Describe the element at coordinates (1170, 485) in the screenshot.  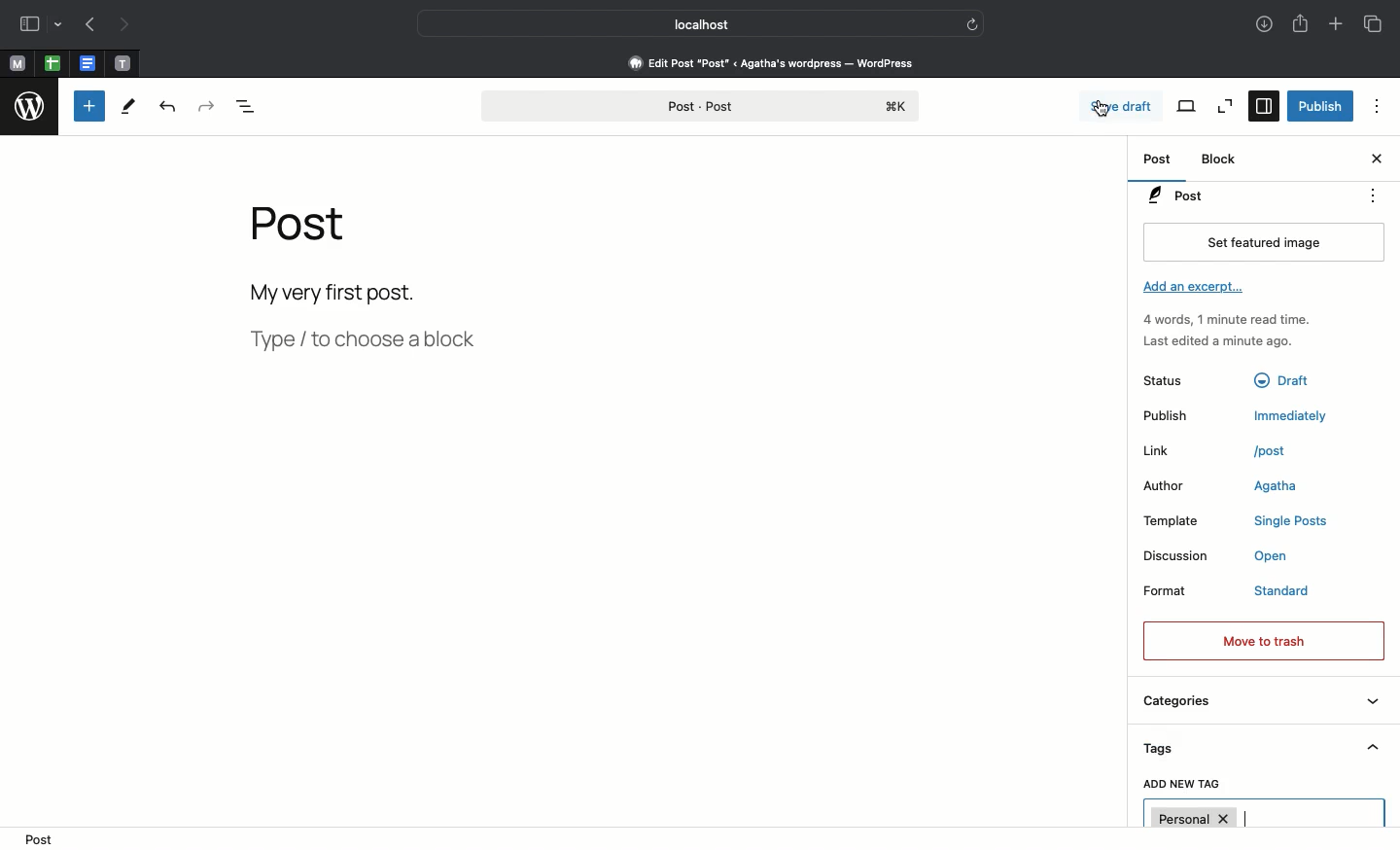
I see `Author` at that location.